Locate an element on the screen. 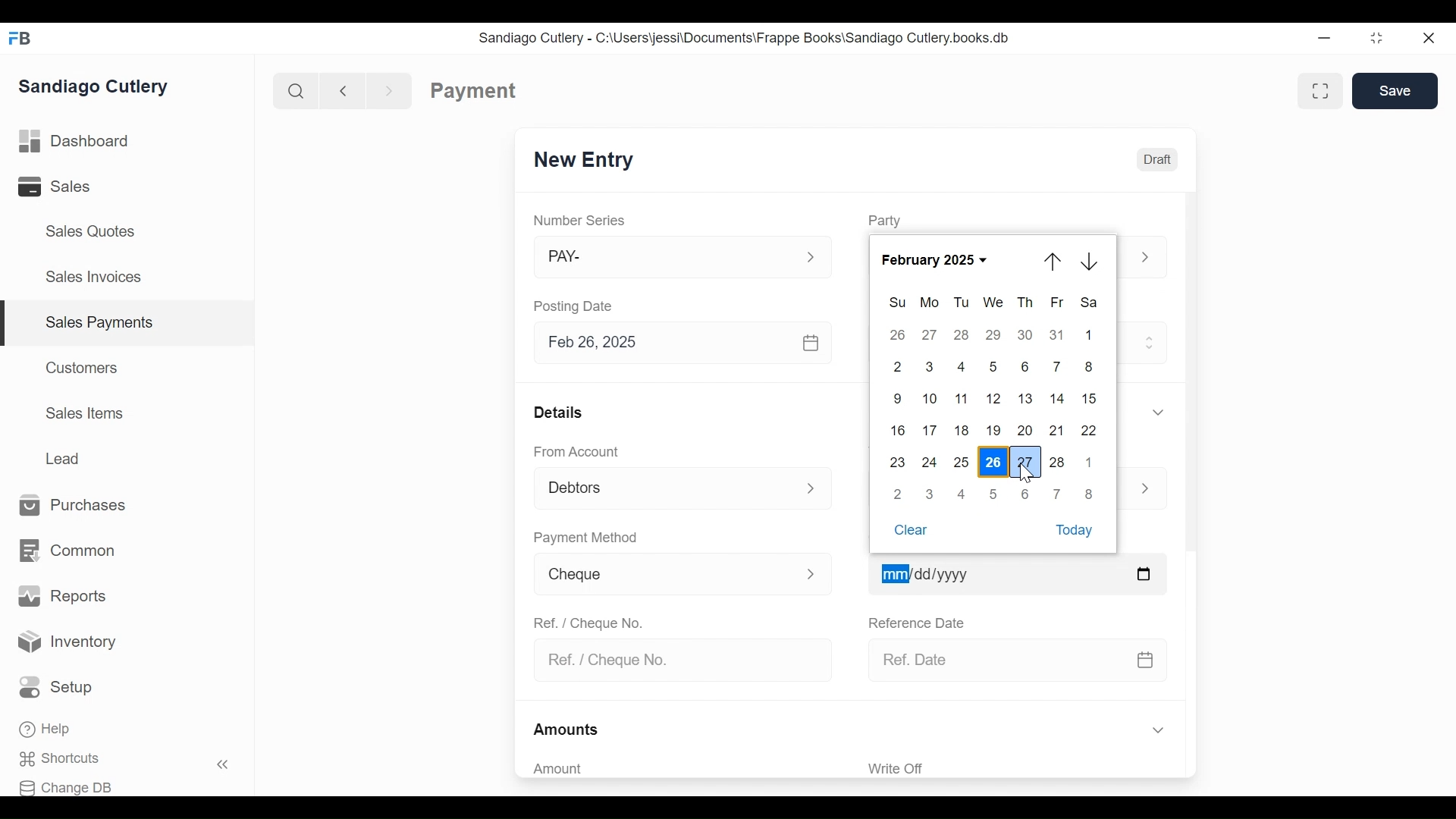  Amounts is located at coordinates (567, 730).